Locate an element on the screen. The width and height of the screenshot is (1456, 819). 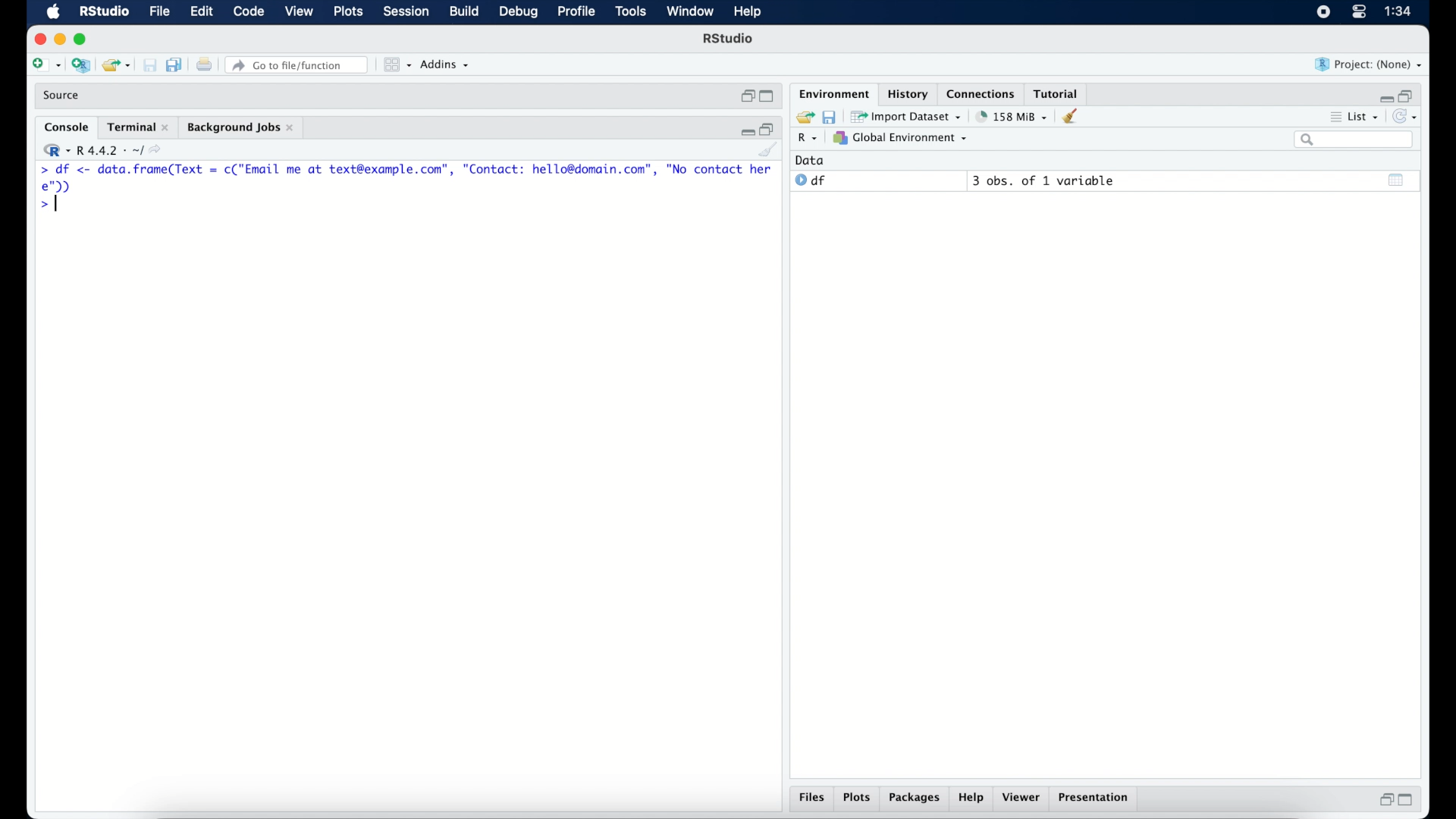
plots is located at coordinates (857, 797).